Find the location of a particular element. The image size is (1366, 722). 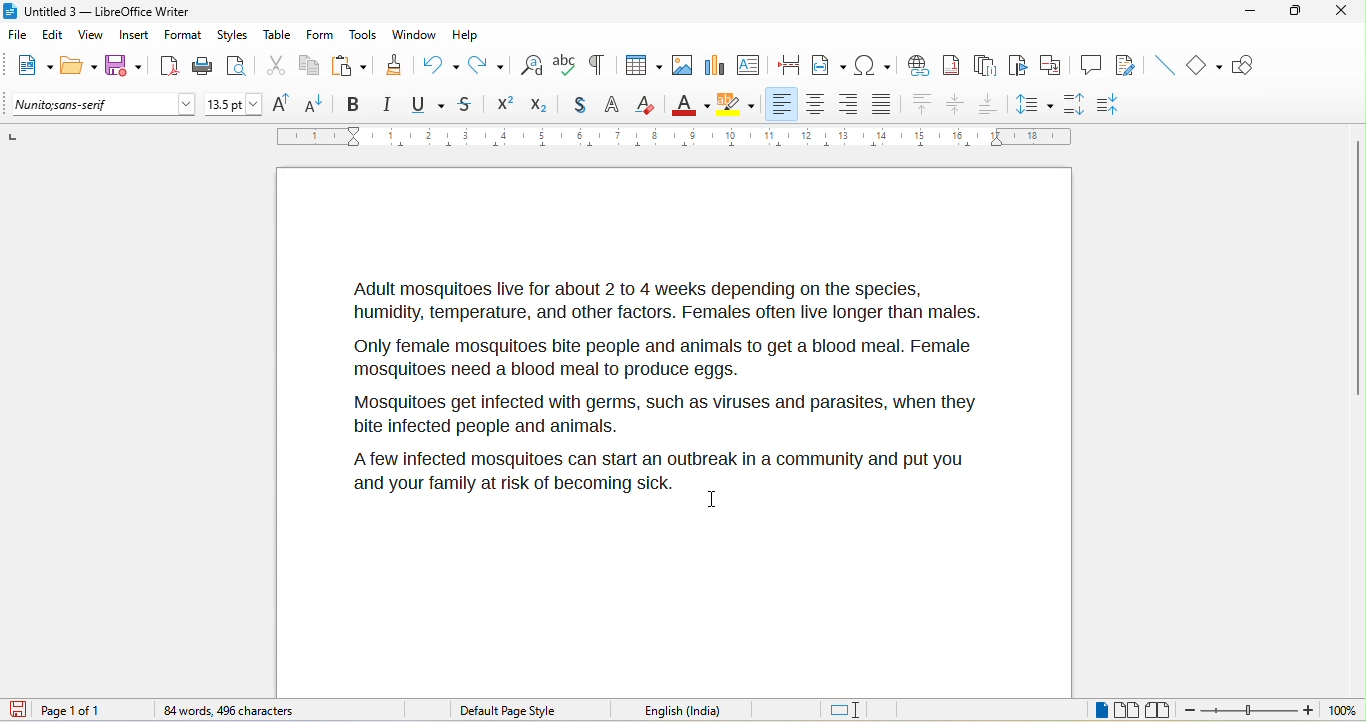

comment is located at coordinates (1091, 63).